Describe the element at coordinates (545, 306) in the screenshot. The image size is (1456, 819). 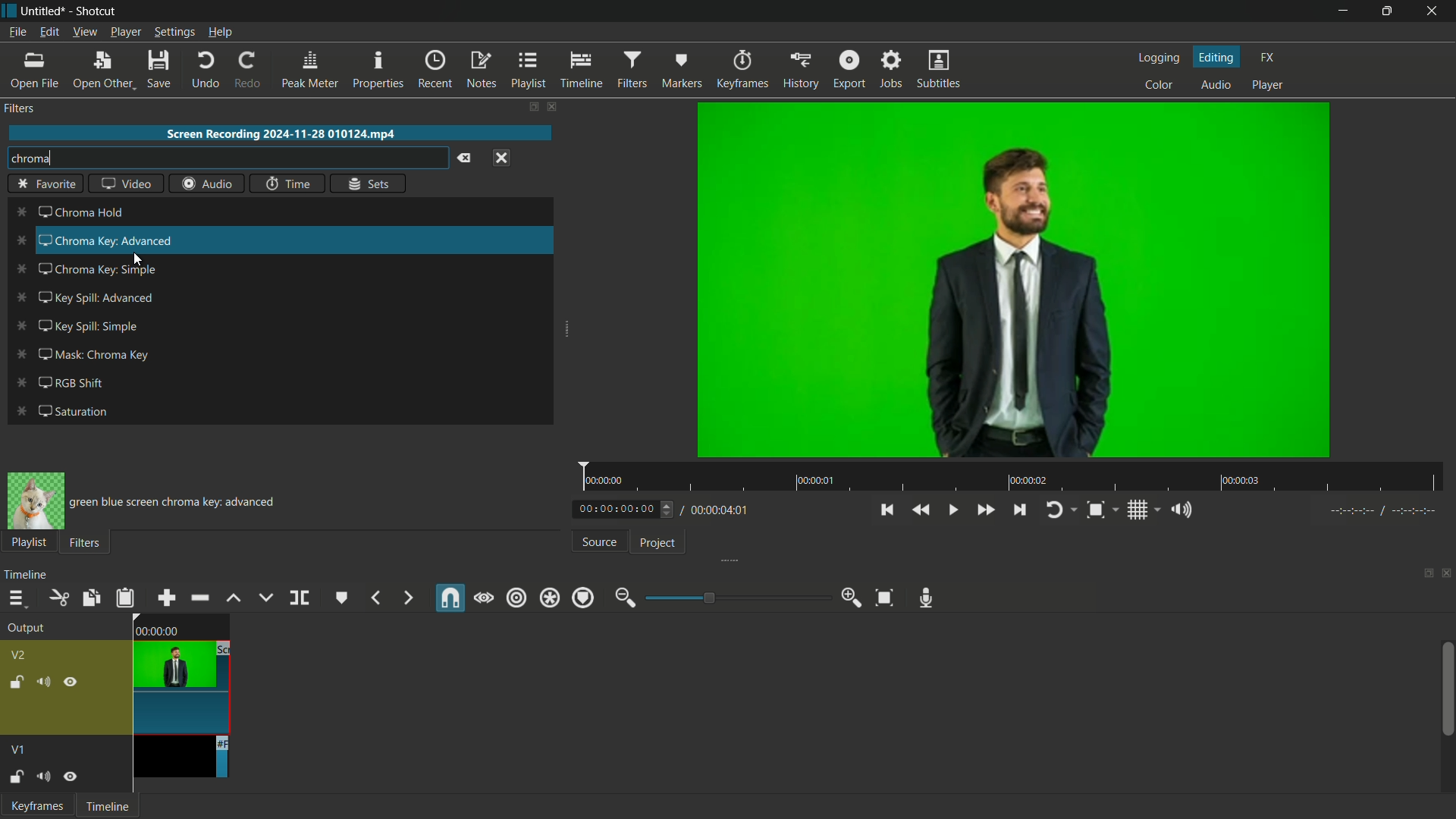
I see `scroll bar` at that location.